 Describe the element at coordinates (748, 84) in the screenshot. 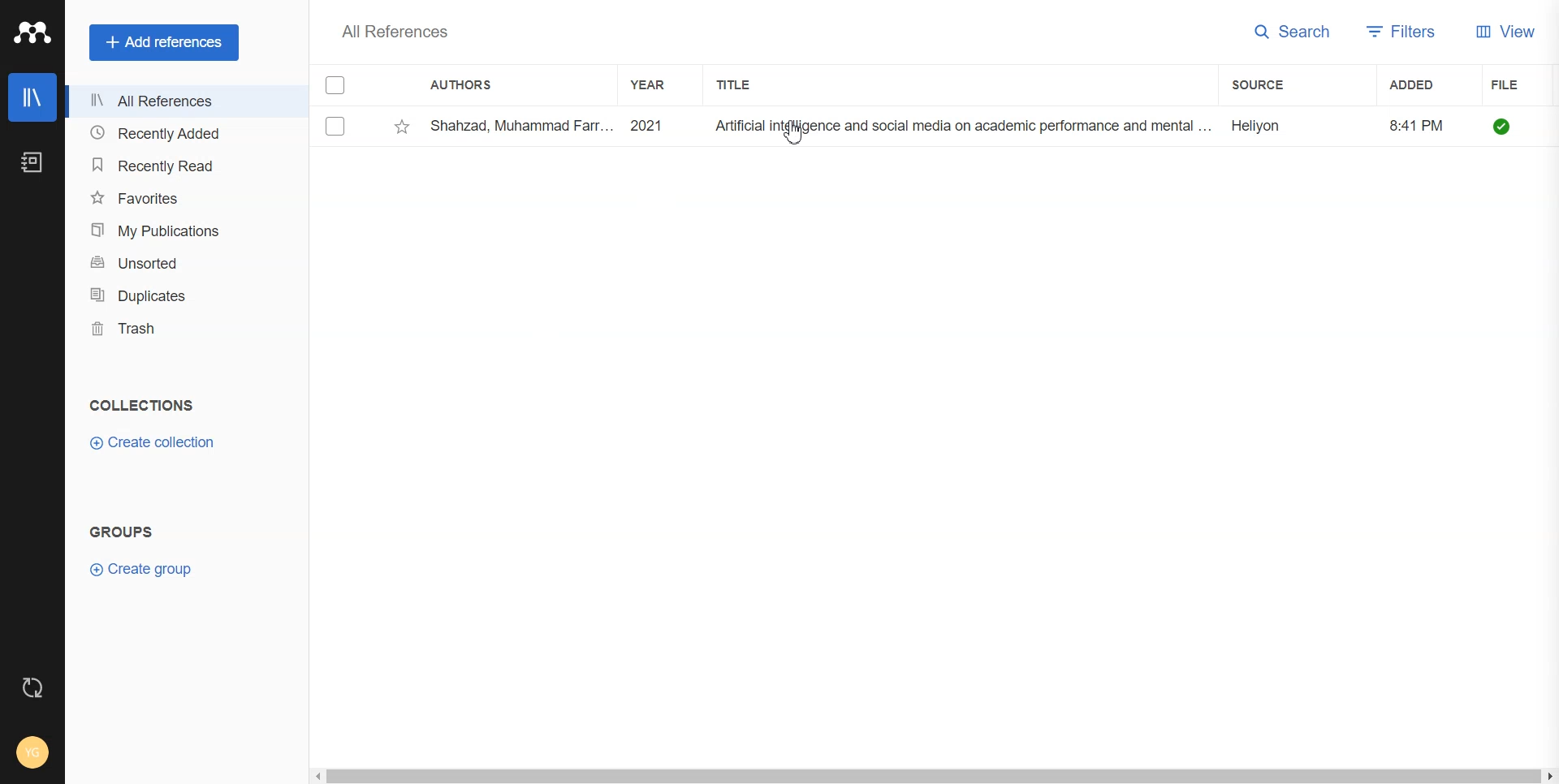

I see `Title` at that location.